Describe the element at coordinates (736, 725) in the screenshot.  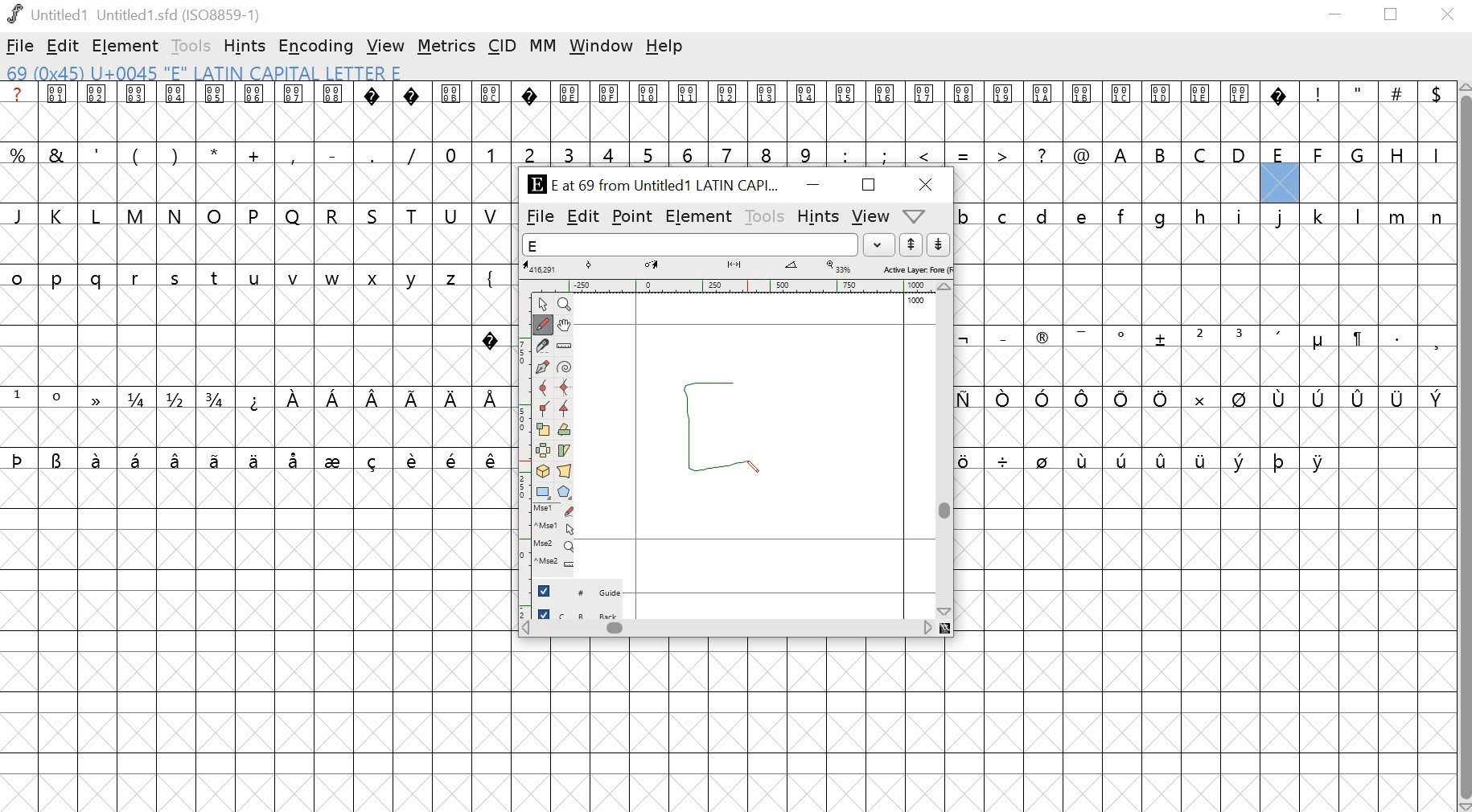
I see `empty cells` at that location.